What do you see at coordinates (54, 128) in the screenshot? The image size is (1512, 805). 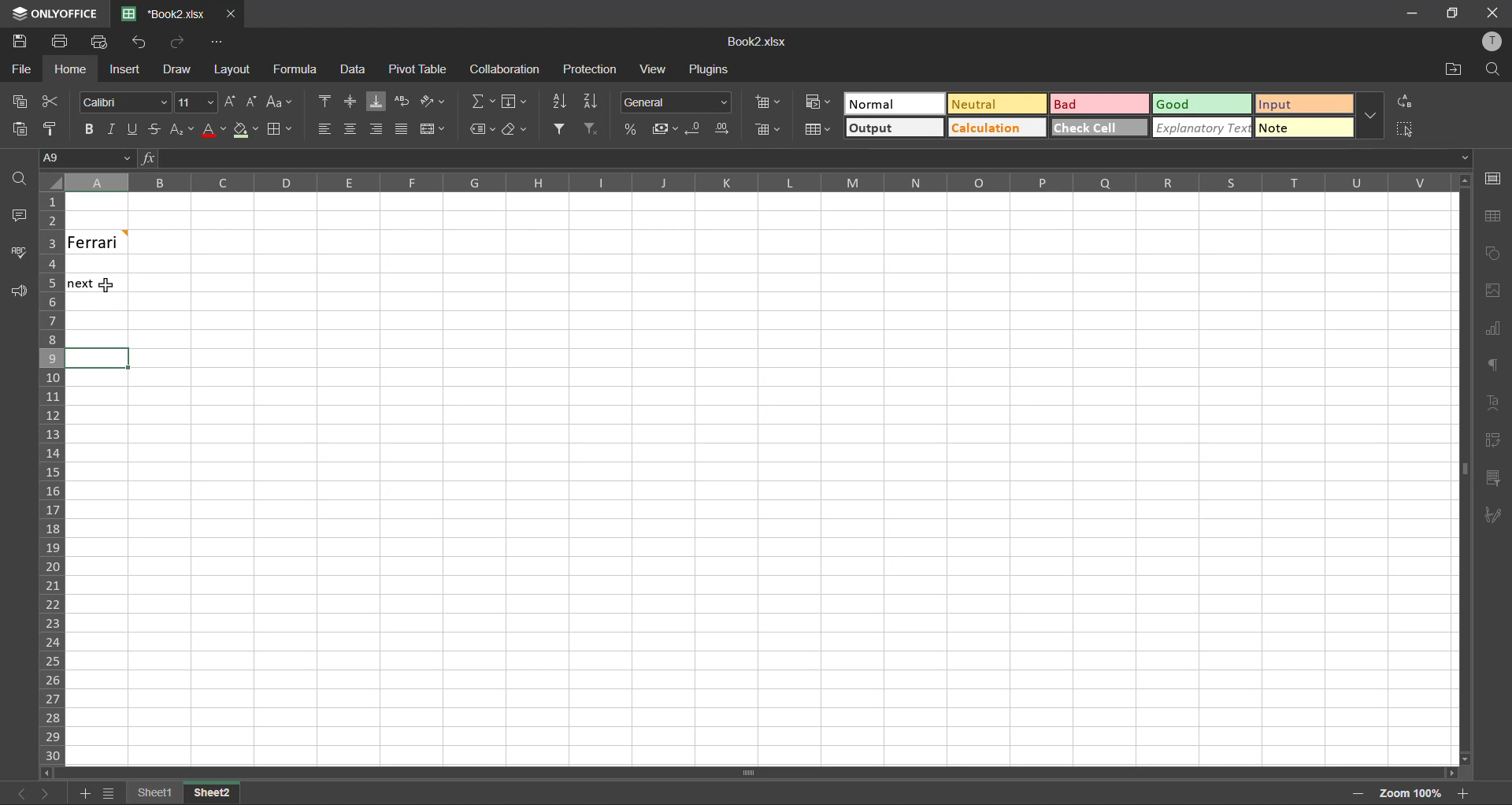 I see `copy style` at bounding box center [54, 128].